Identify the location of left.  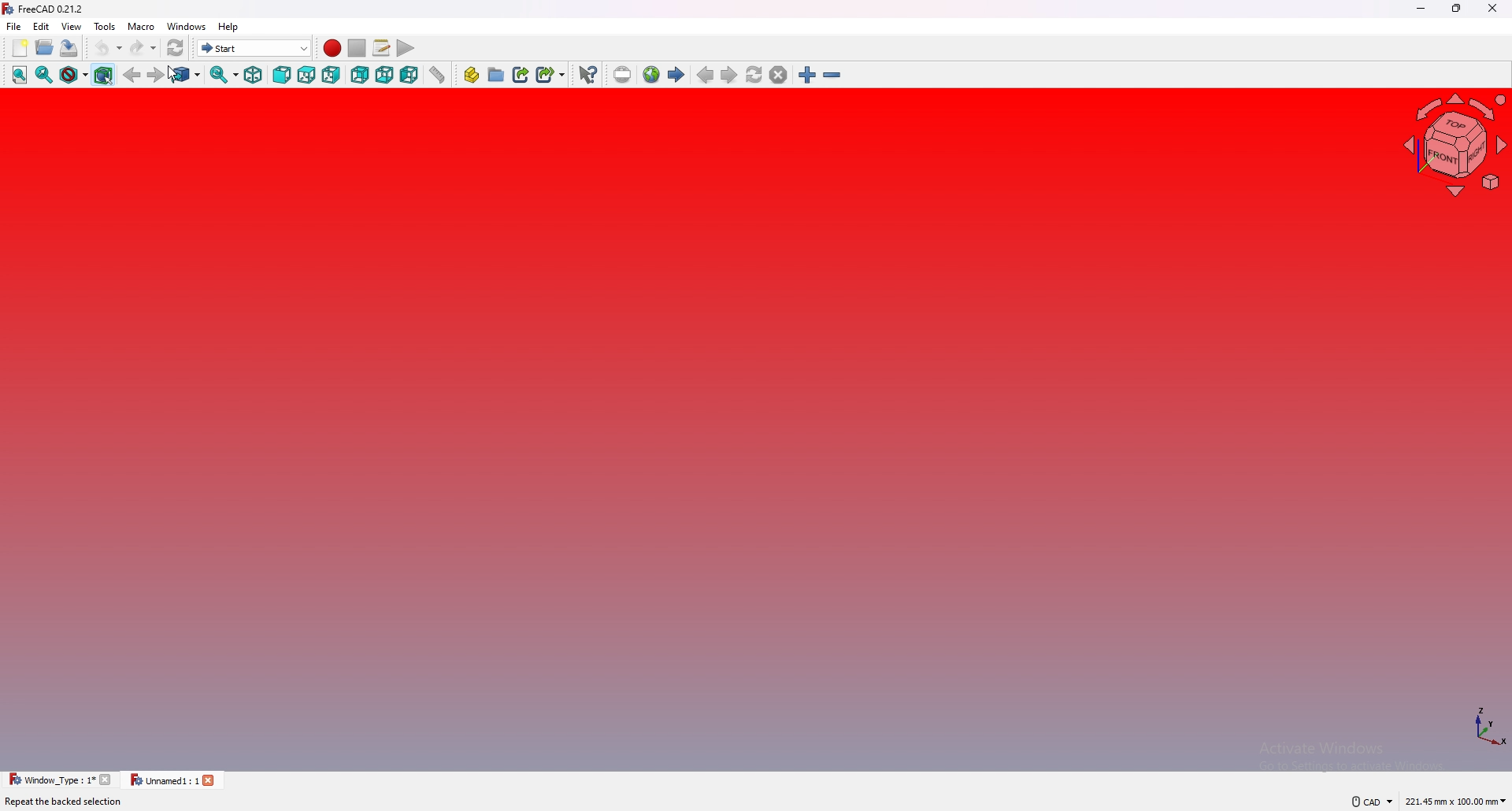
(409, 75).